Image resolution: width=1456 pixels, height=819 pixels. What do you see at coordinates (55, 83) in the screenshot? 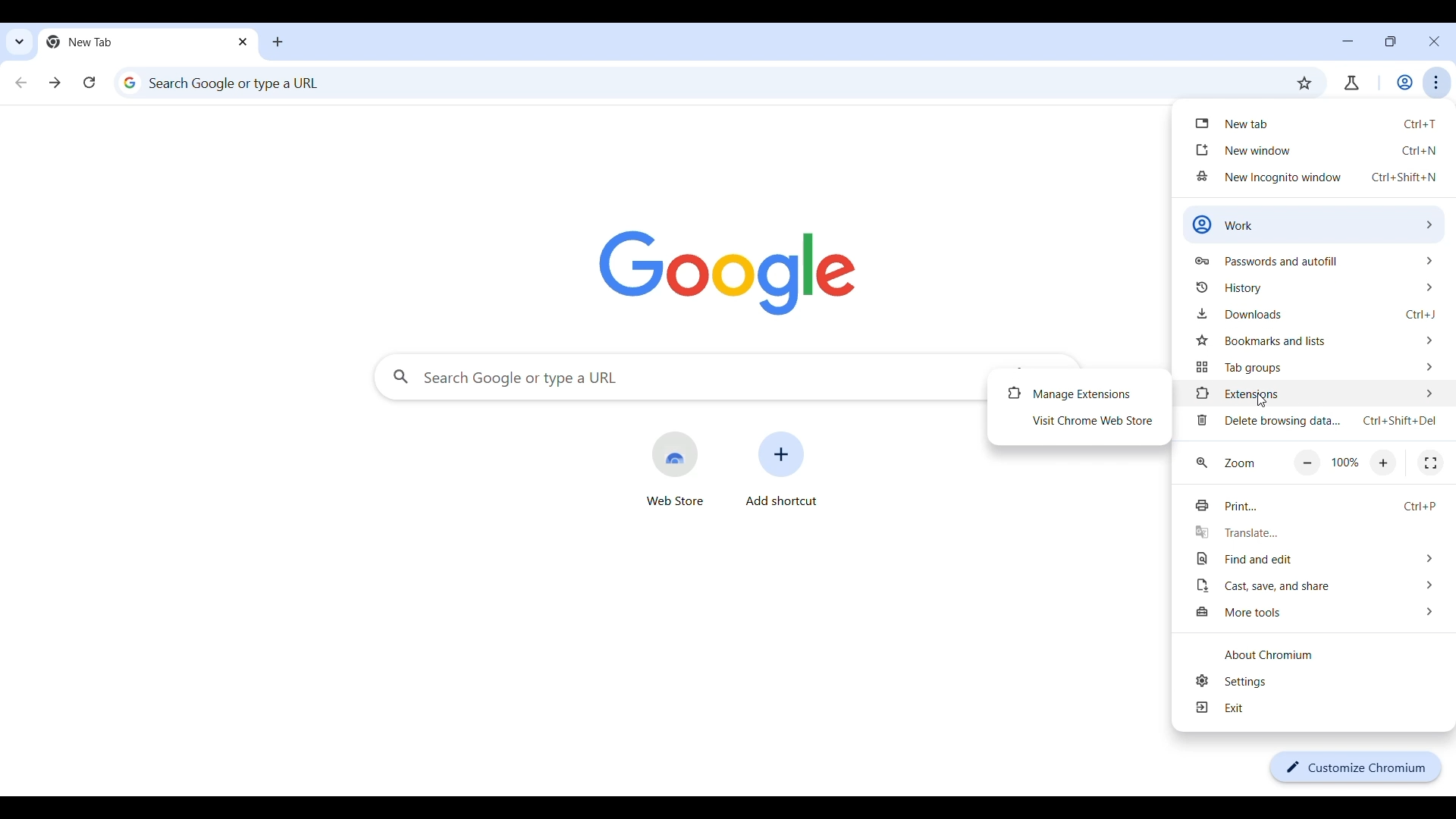
I see `Go forward` at bounding box center [55, 83].